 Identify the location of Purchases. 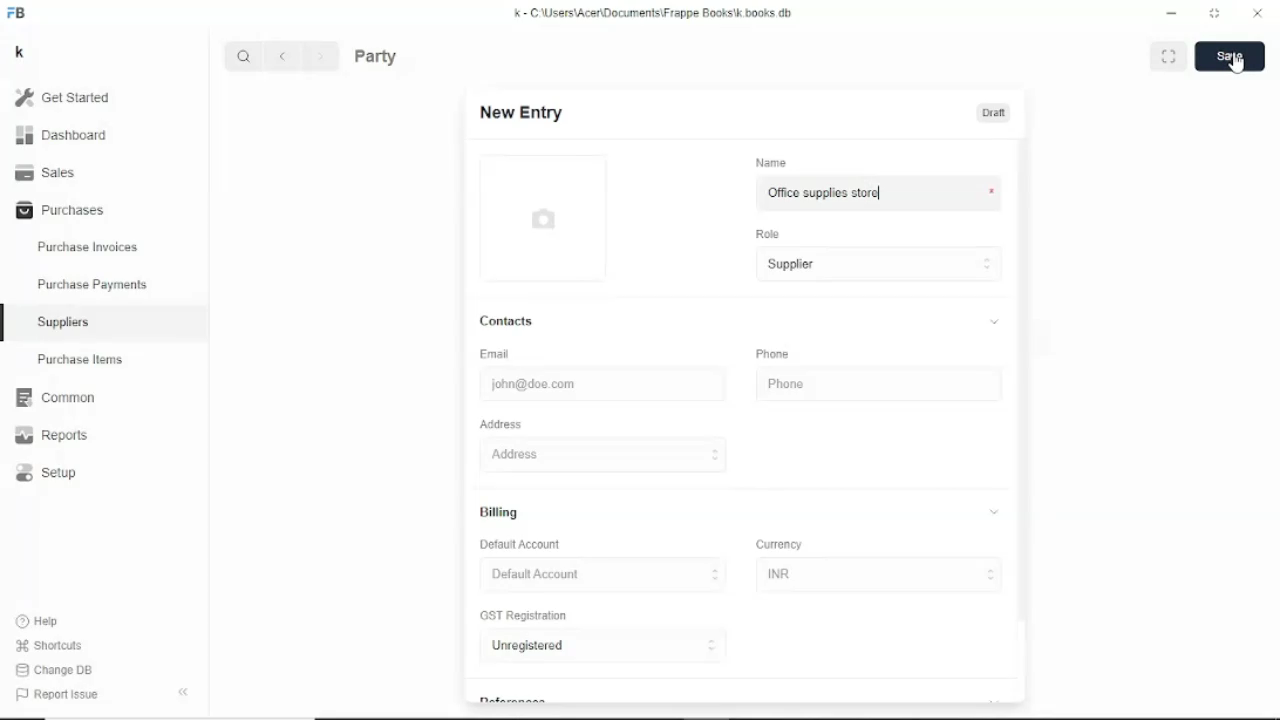
(58, 211).